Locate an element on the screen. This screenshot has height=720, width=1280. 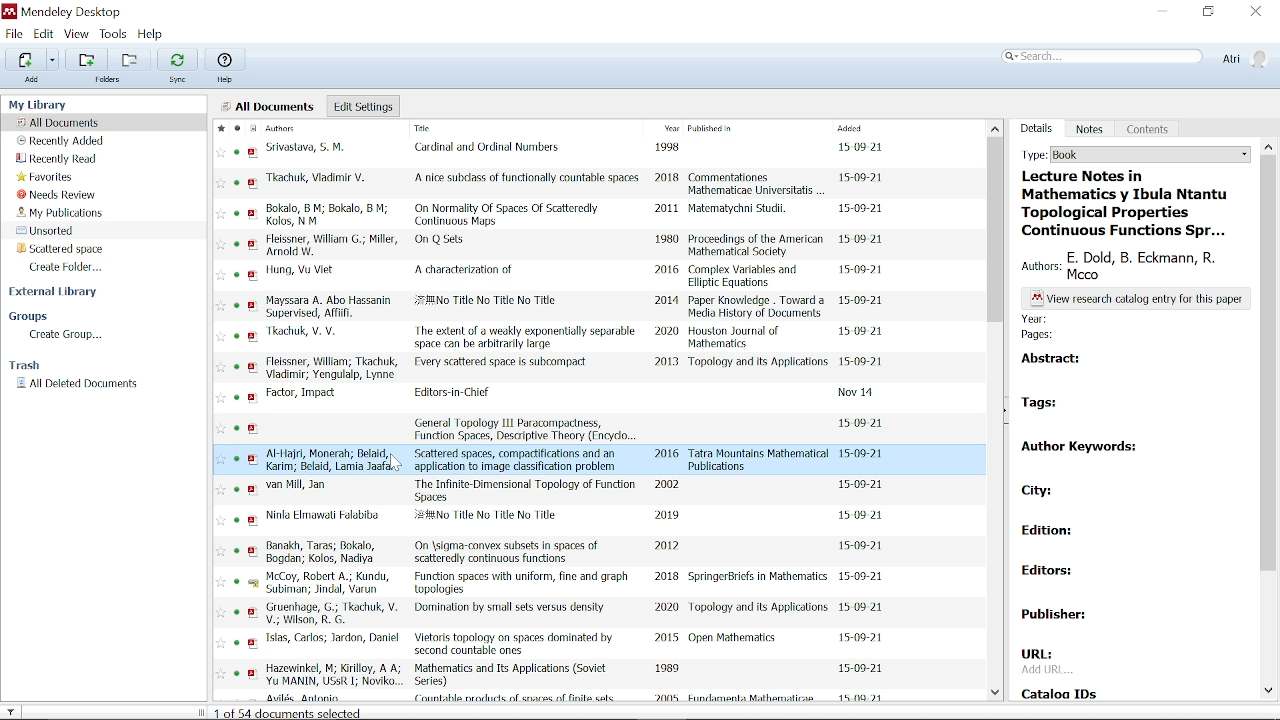
Remove from current folder is located at coordinates (128, 59).